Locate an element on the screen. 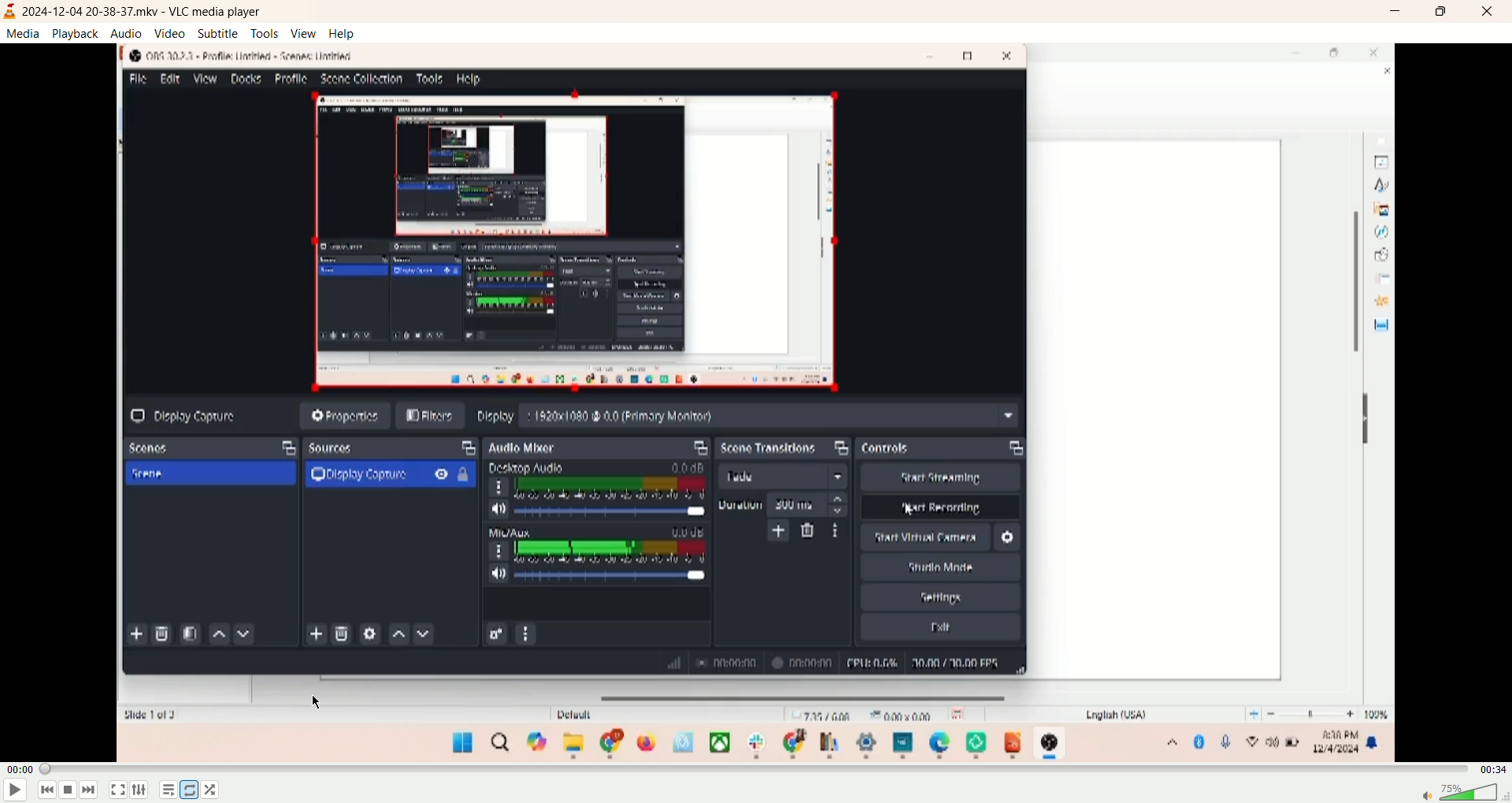 The image size is (1512, 803). 2024-12-04 20-38-37 mkv-vlc media player is located at coordinates (155, 13).